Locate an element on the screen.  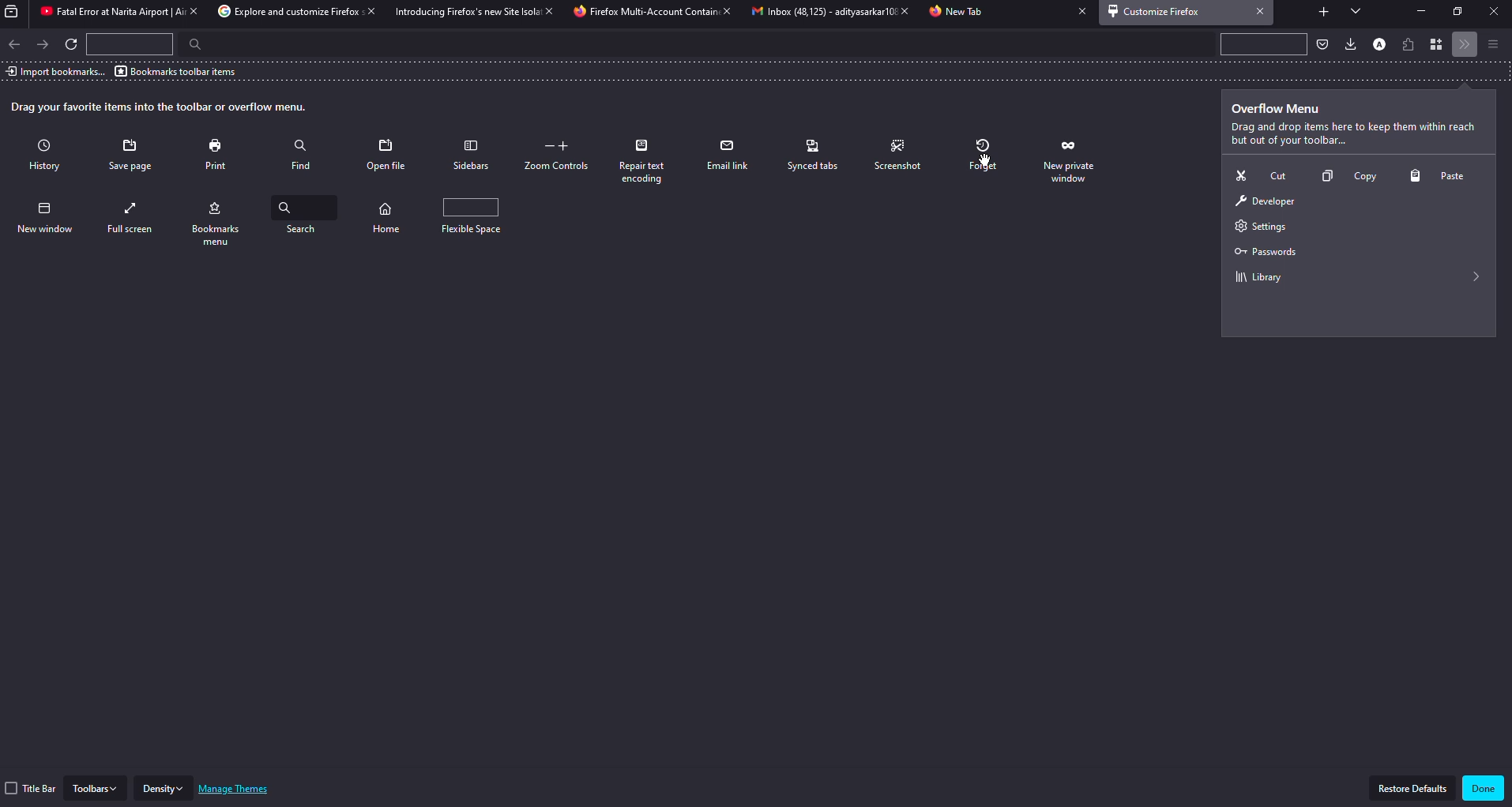
email link is located at coordinates (729, 155).